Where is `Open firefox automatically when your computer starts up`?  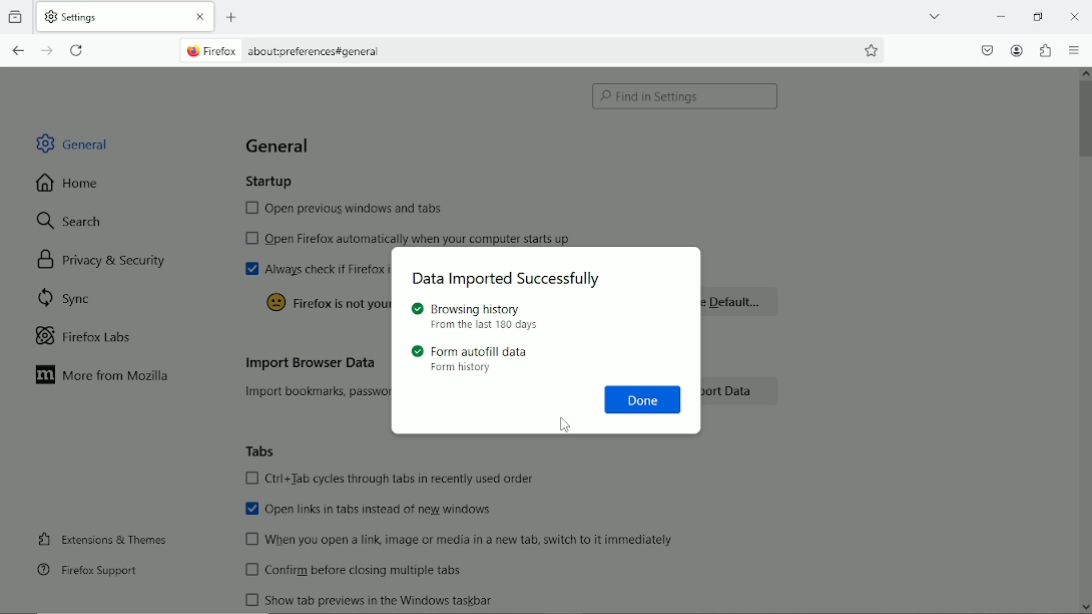 Open firefox automatically when your computer starts up is located at coordinates (413, 237).